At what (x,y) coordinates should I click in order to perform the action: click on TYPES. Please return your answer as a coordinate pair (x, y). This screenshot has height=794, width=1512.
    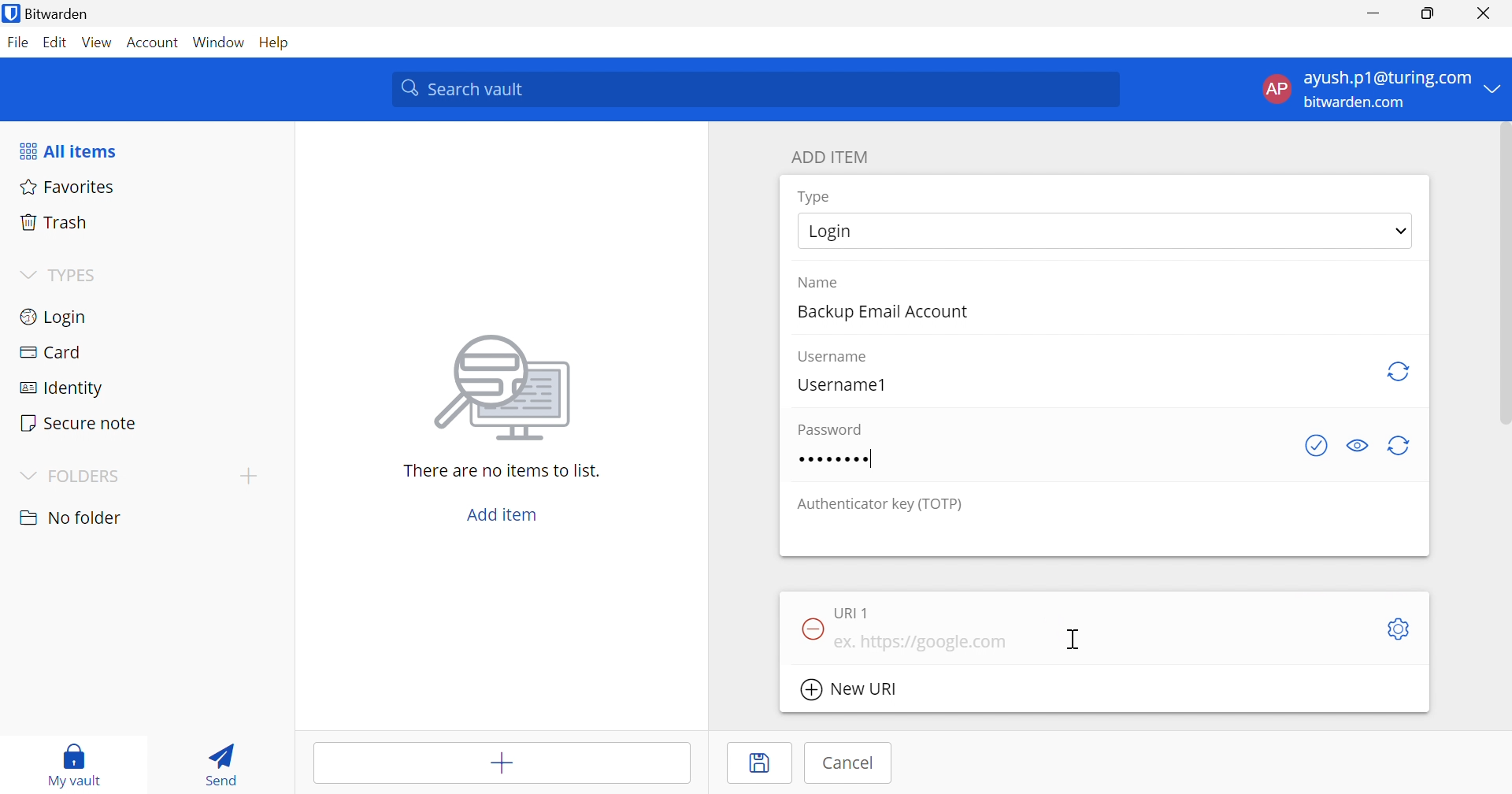
    Looking at the image, I should click on (74, 274).